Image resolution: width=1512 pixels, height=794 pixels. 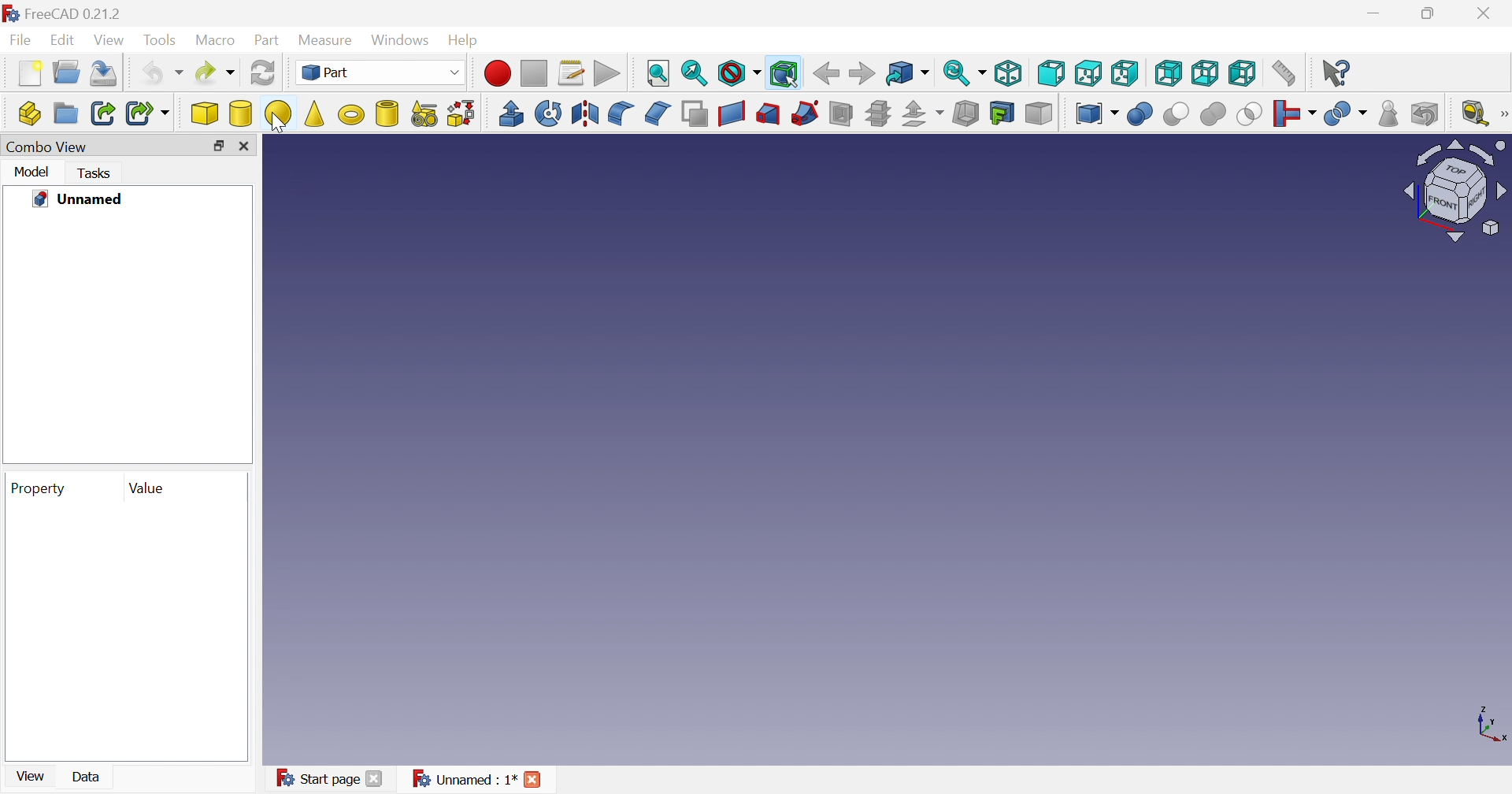 What do you see at coordinates (1002, 113) in the screenshot?
I see `Create projection on surface` at bounding box center [1002, 113].